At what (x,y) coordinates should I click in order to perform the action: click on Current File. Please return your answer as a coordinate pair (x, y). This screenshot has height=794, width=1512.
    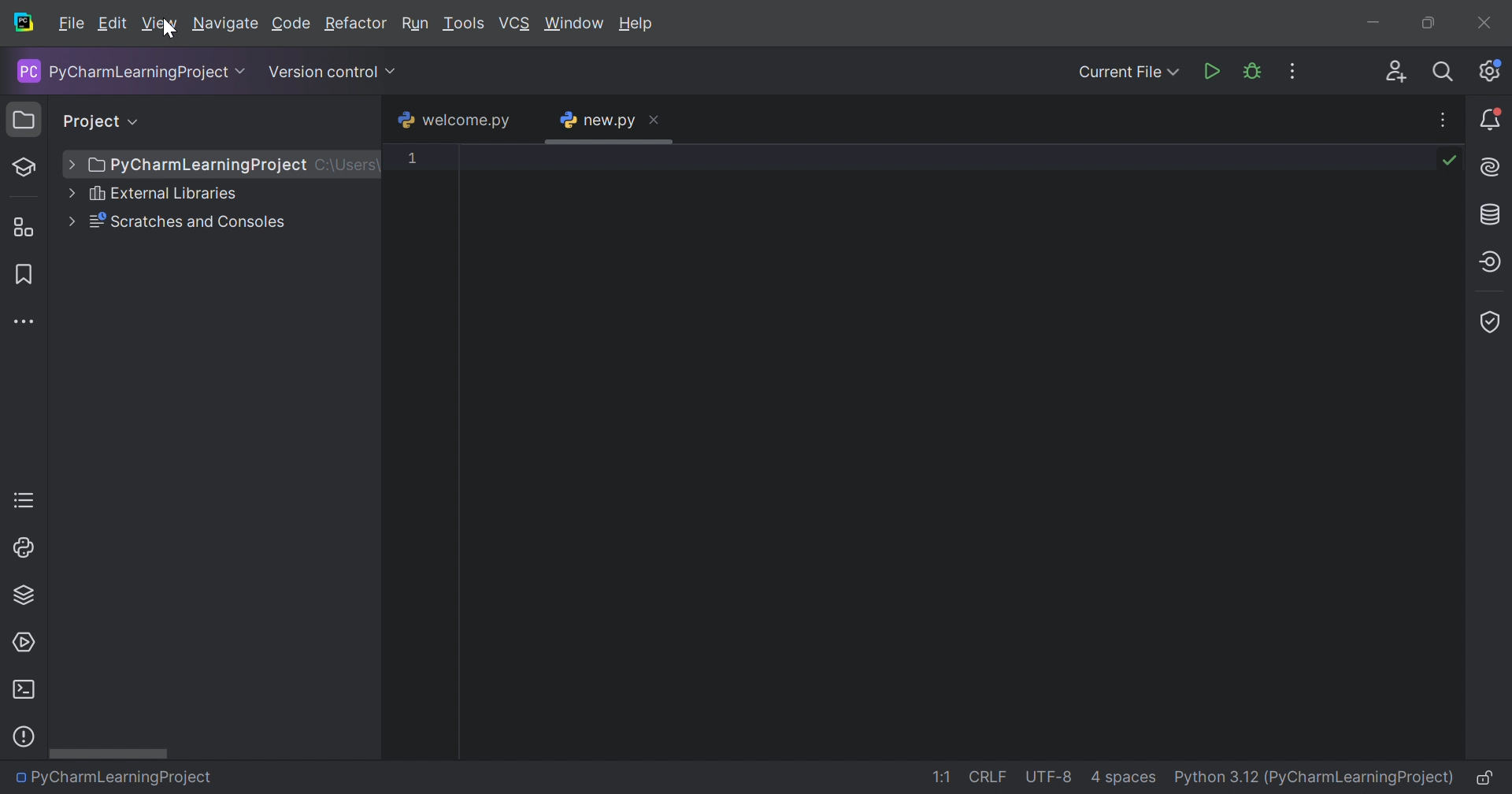
    Looking at the image, I should click on (1130, 73).